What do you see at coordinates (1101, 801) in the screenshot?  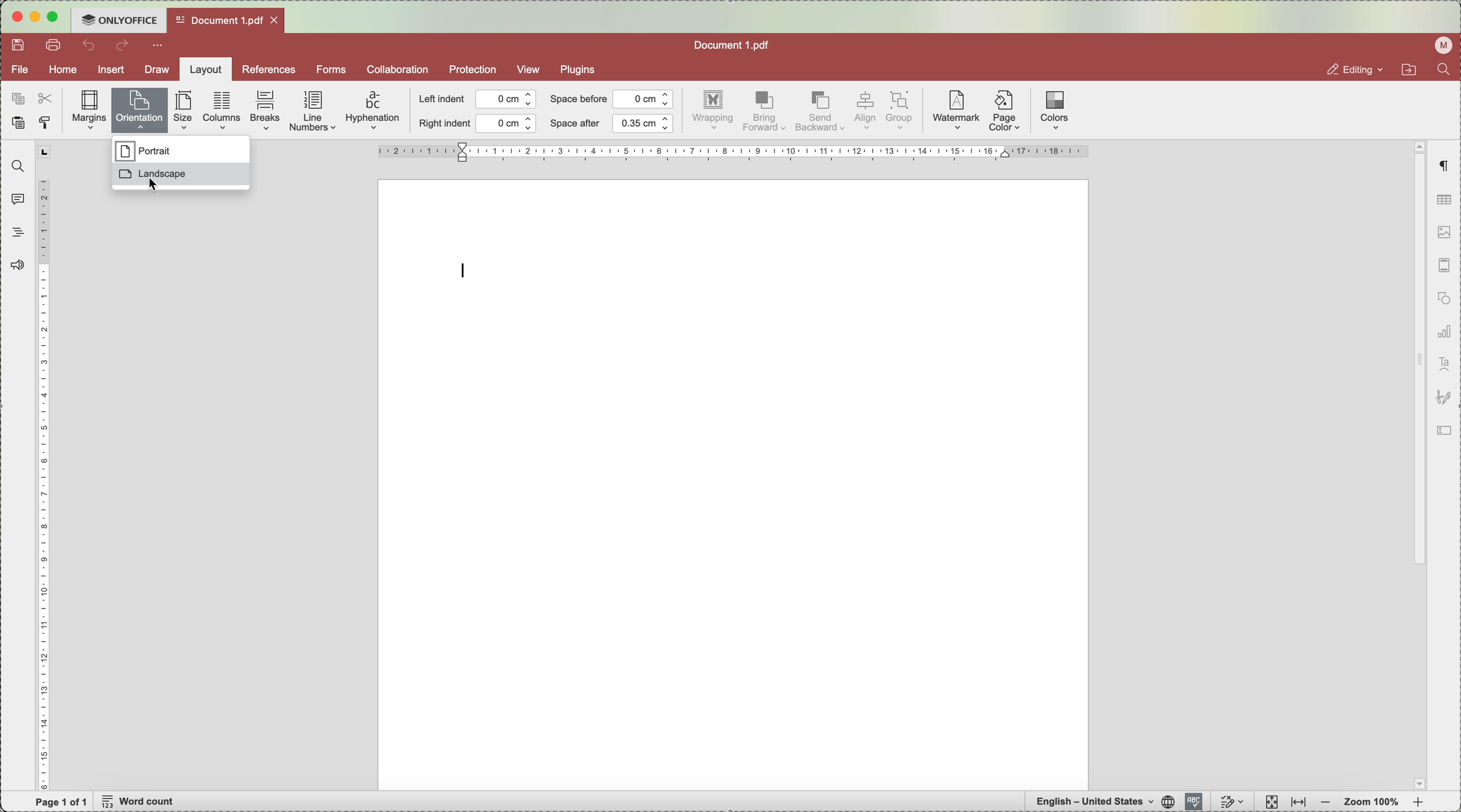 I see `english` at bounding box center [1101, 801].